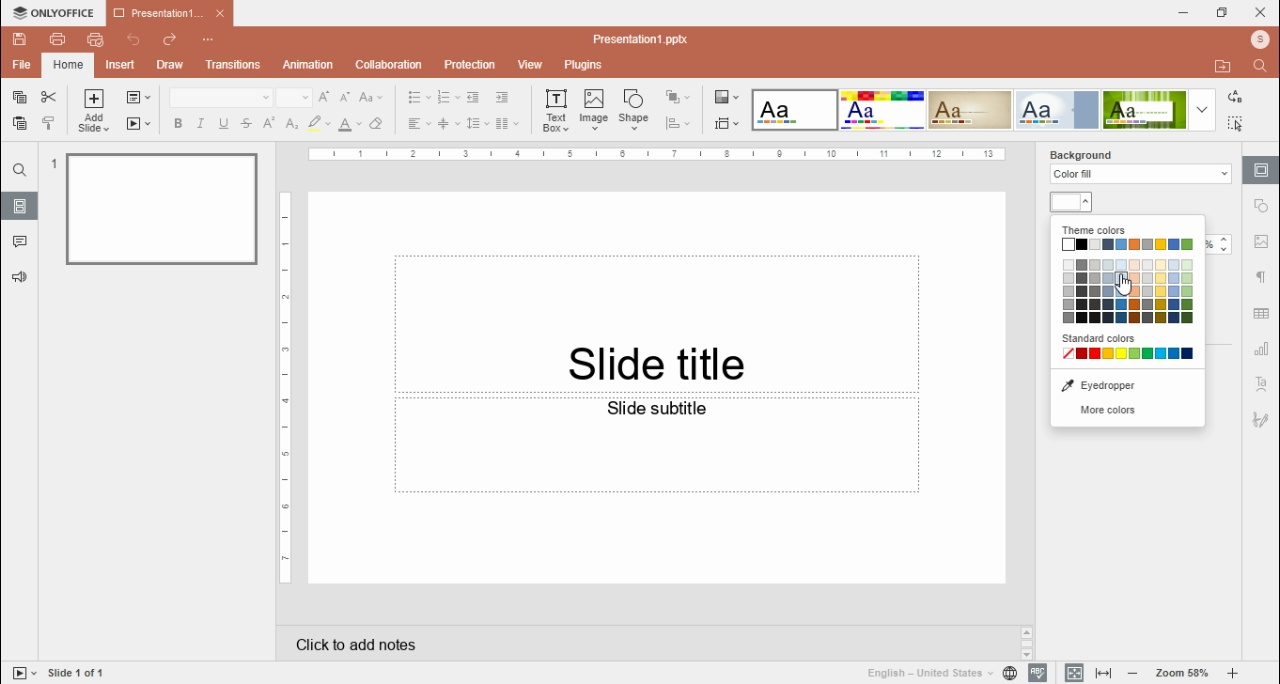  Describe the element at coordinates (468, 65) in the screenshot. I see `protection` at that location.